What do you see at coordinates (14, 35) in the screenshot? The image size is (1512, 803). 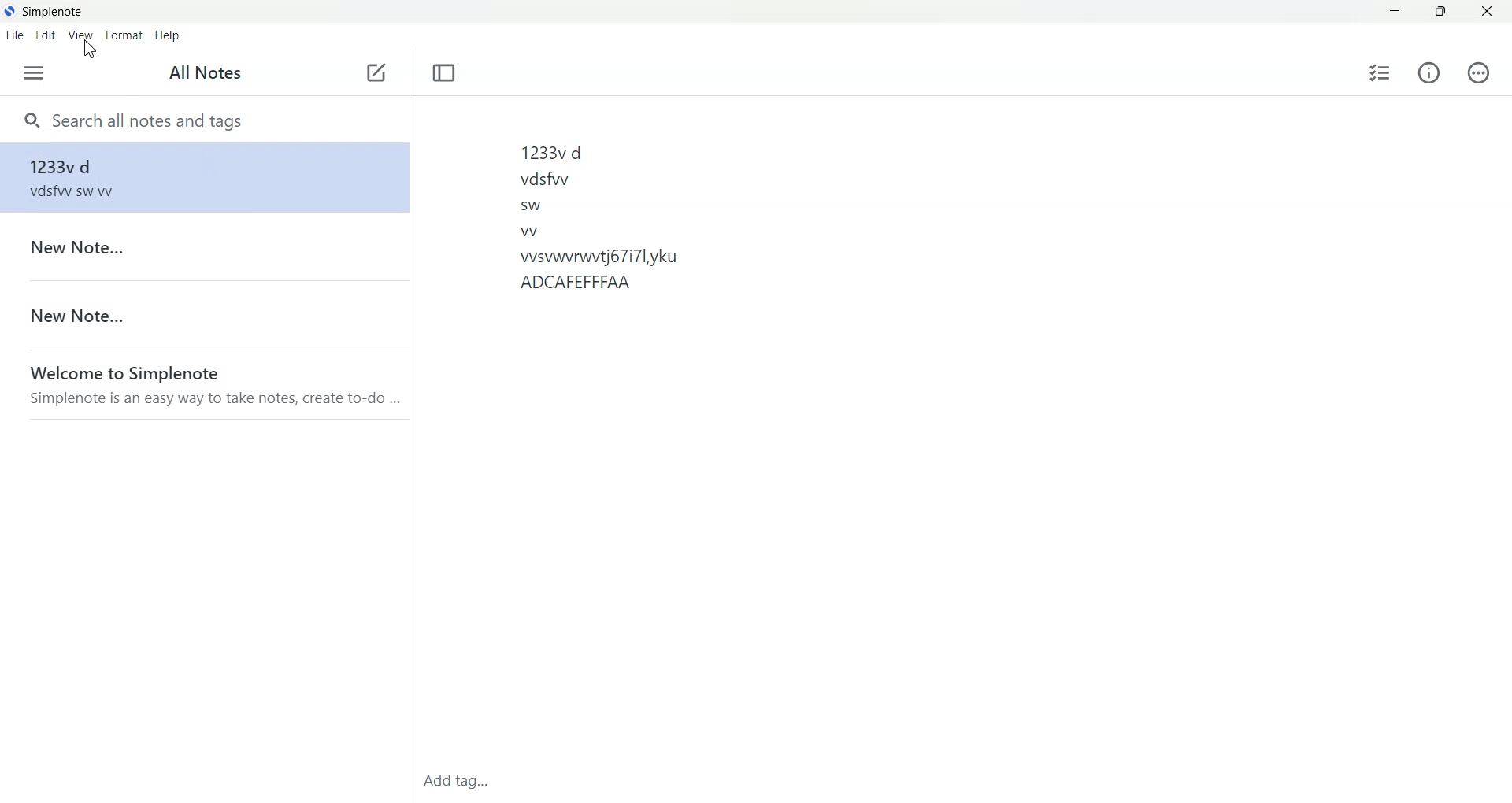 I see `File` at bounding box center [14, 35].